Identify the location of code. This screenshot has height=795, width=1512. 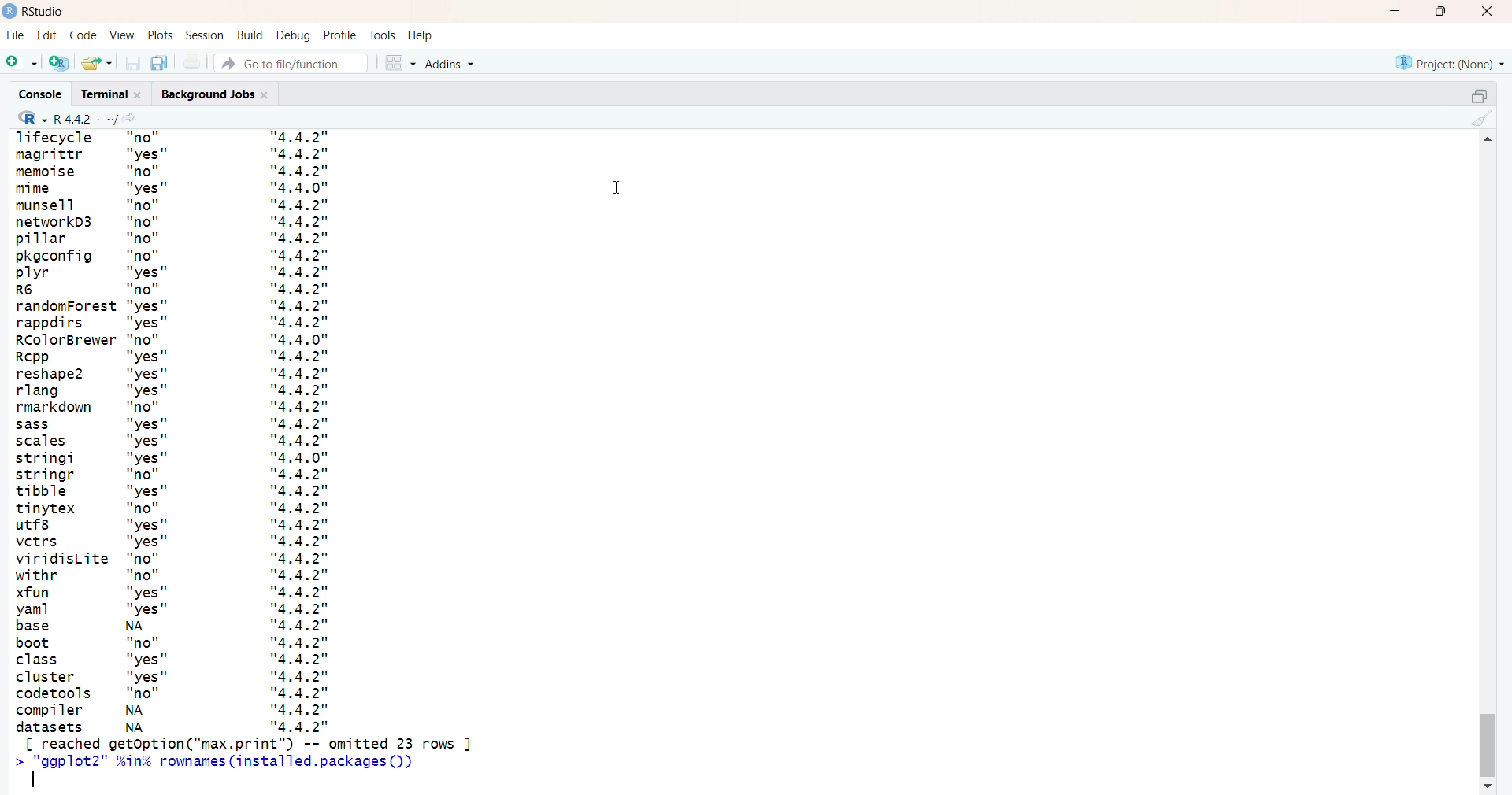
(83, 35).